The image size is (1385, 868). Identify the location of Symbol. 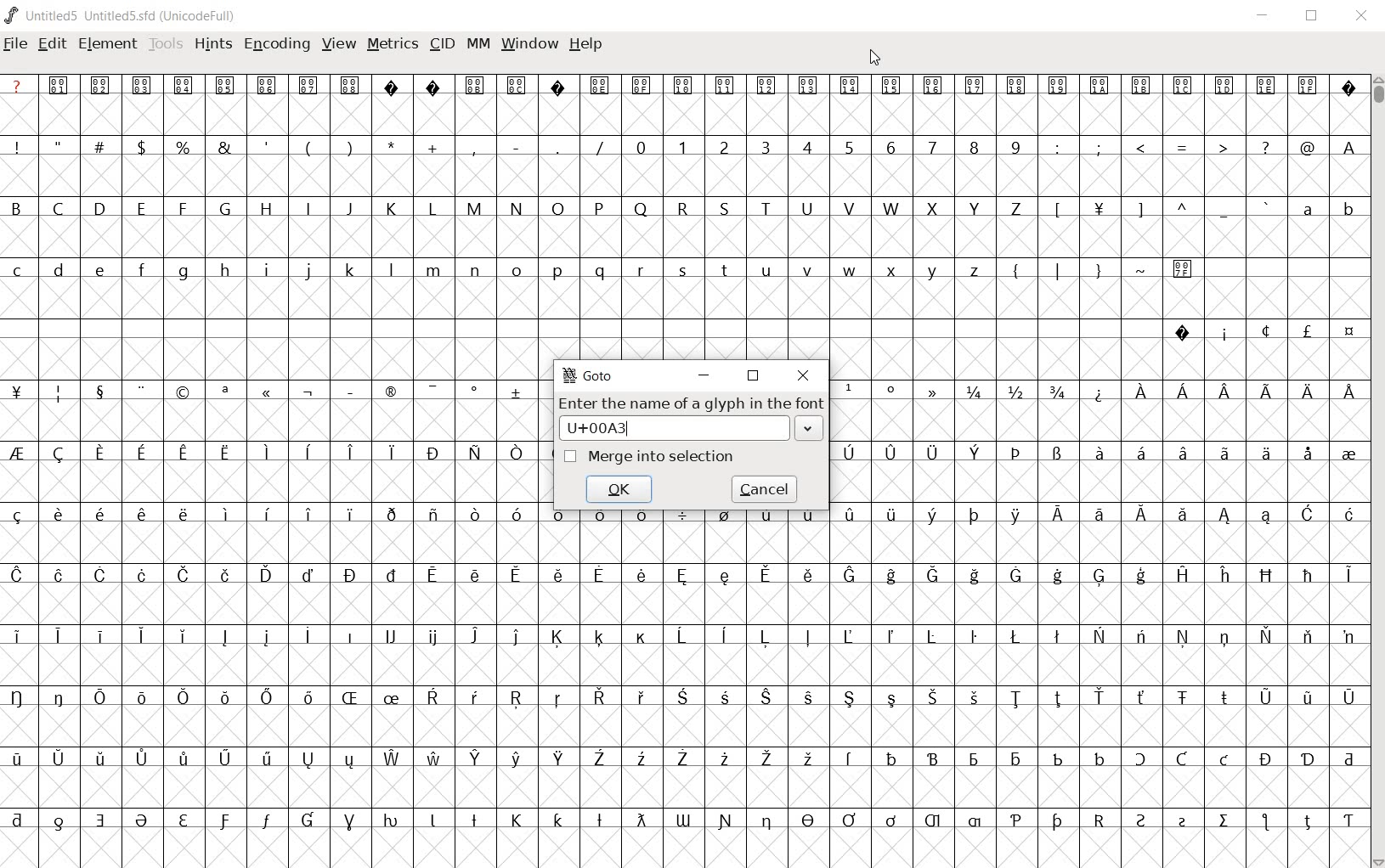
(1348, 389).